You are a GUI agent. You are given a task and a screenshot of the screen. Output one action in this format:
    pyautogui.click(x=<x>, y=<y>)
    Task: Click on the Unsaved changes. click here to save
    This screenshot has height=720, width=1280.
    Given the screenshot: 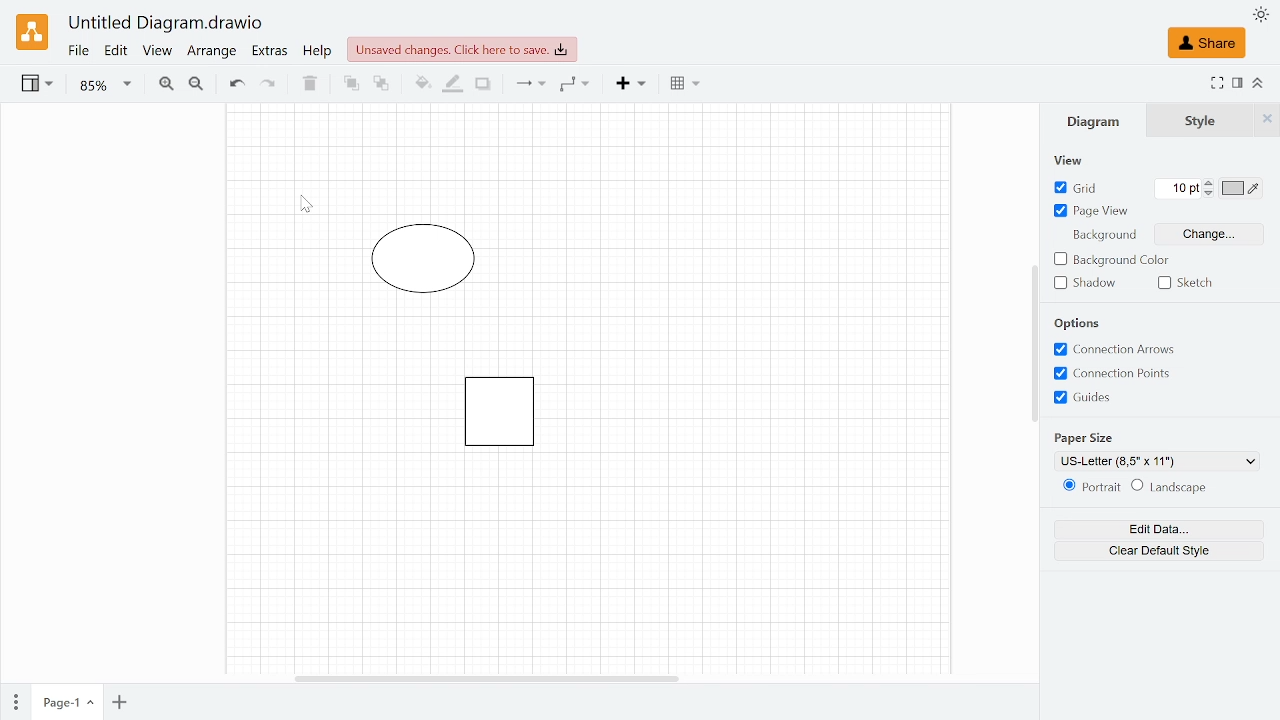 What is the action you would take?
    pyautogui.click(x=462, y=50)
    